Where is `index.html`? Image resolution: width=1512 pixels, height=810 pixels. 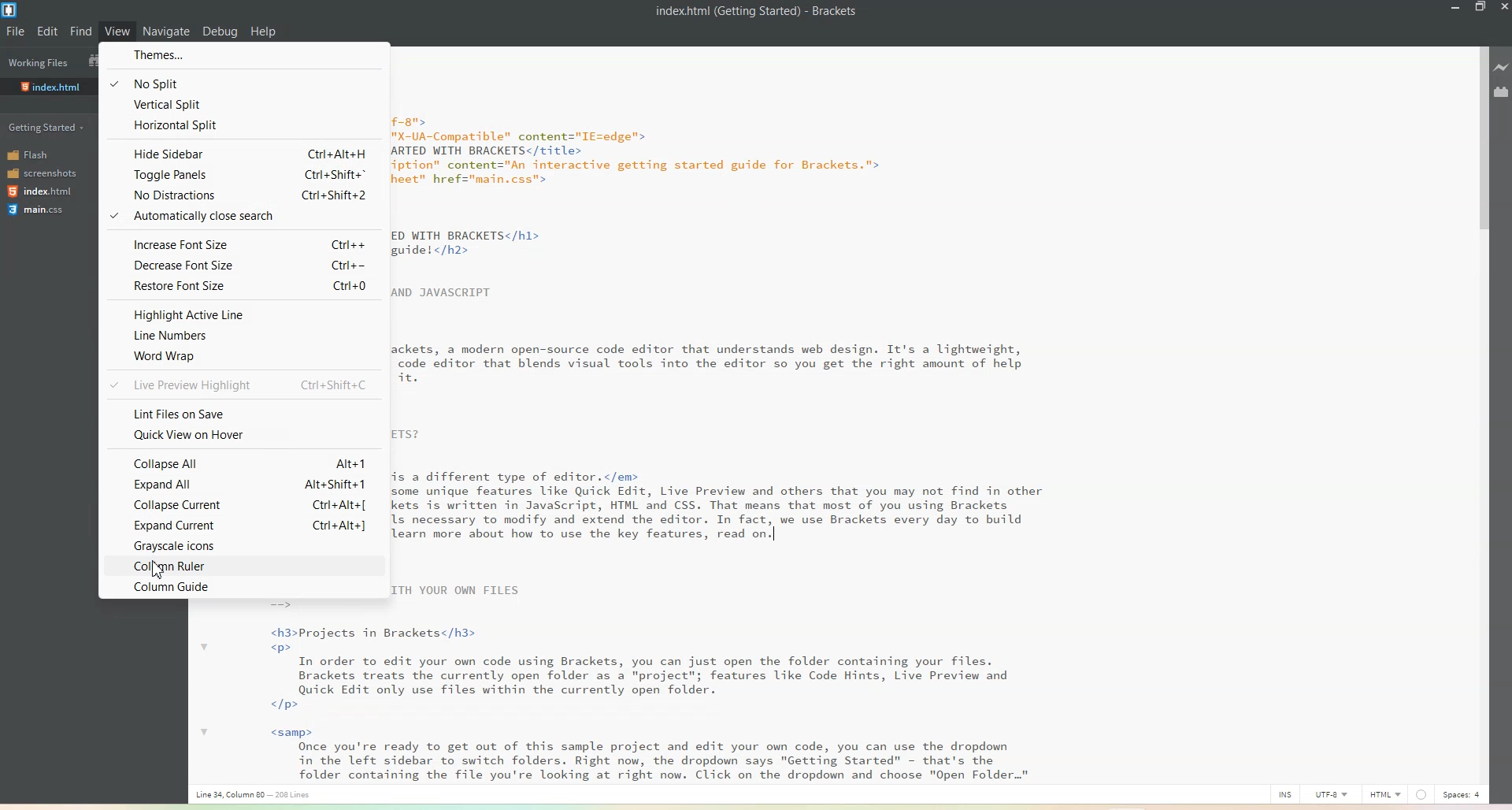 index.html is located at coordinates (44, 192).